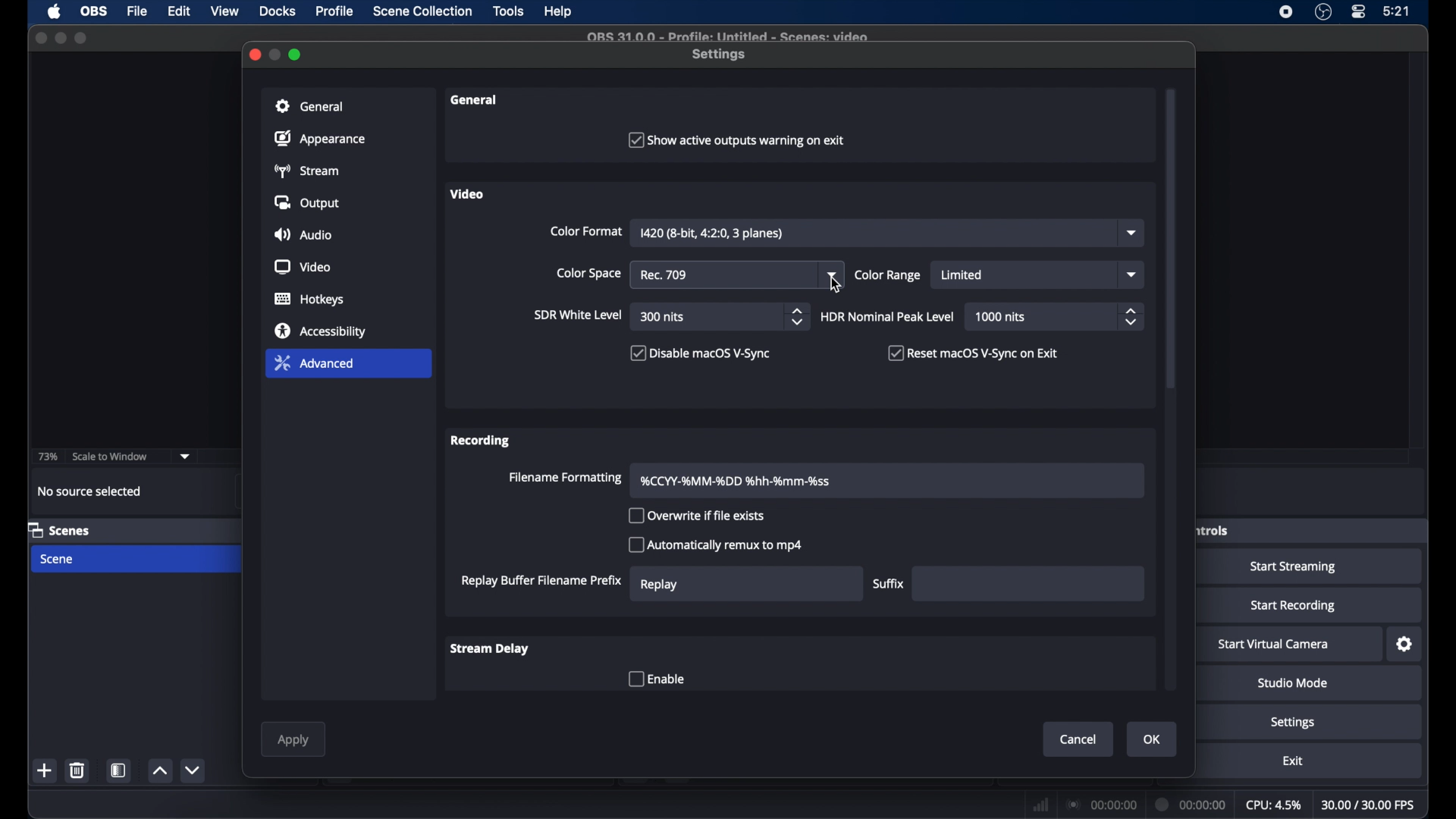 The width and height of the screenshot is (1456, 819). What do you see at coordinates (727, 37) in the screenshot?
I see `file name` at bounding box center [727, 37].